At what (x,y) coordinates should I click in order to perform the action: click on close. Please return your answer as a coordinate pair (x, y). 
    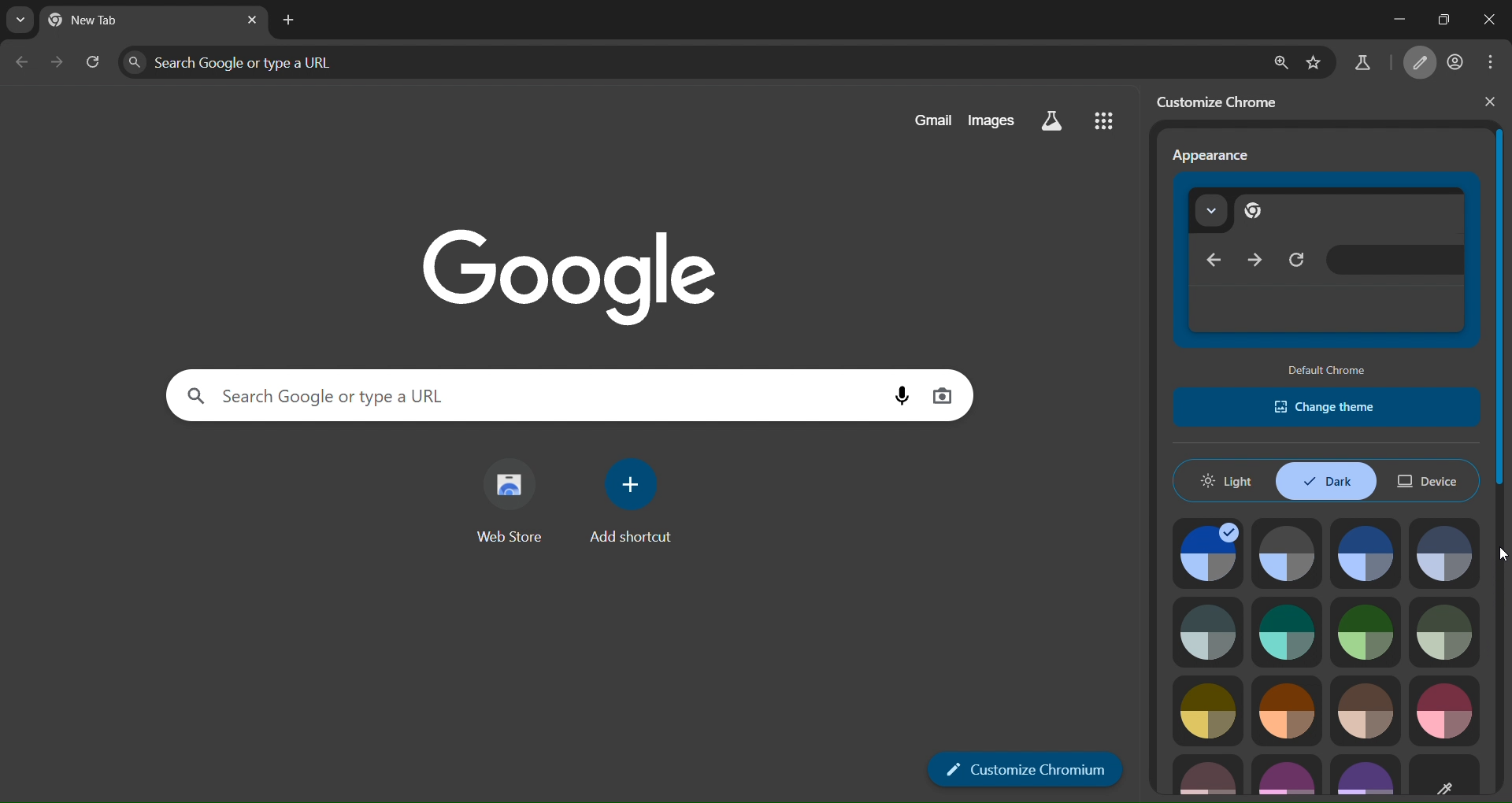
    Looking at the image, I should click on (1483, 20).